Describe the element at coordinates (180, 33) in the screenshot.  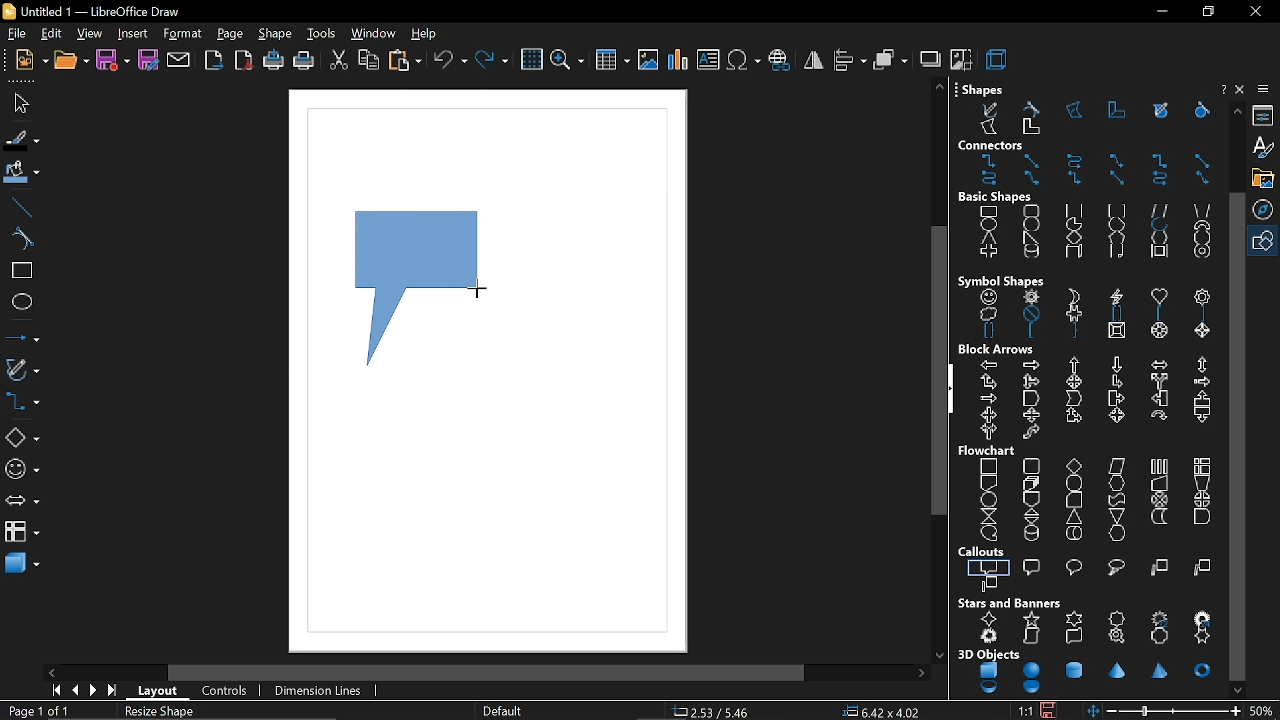
I see `format` at that location.